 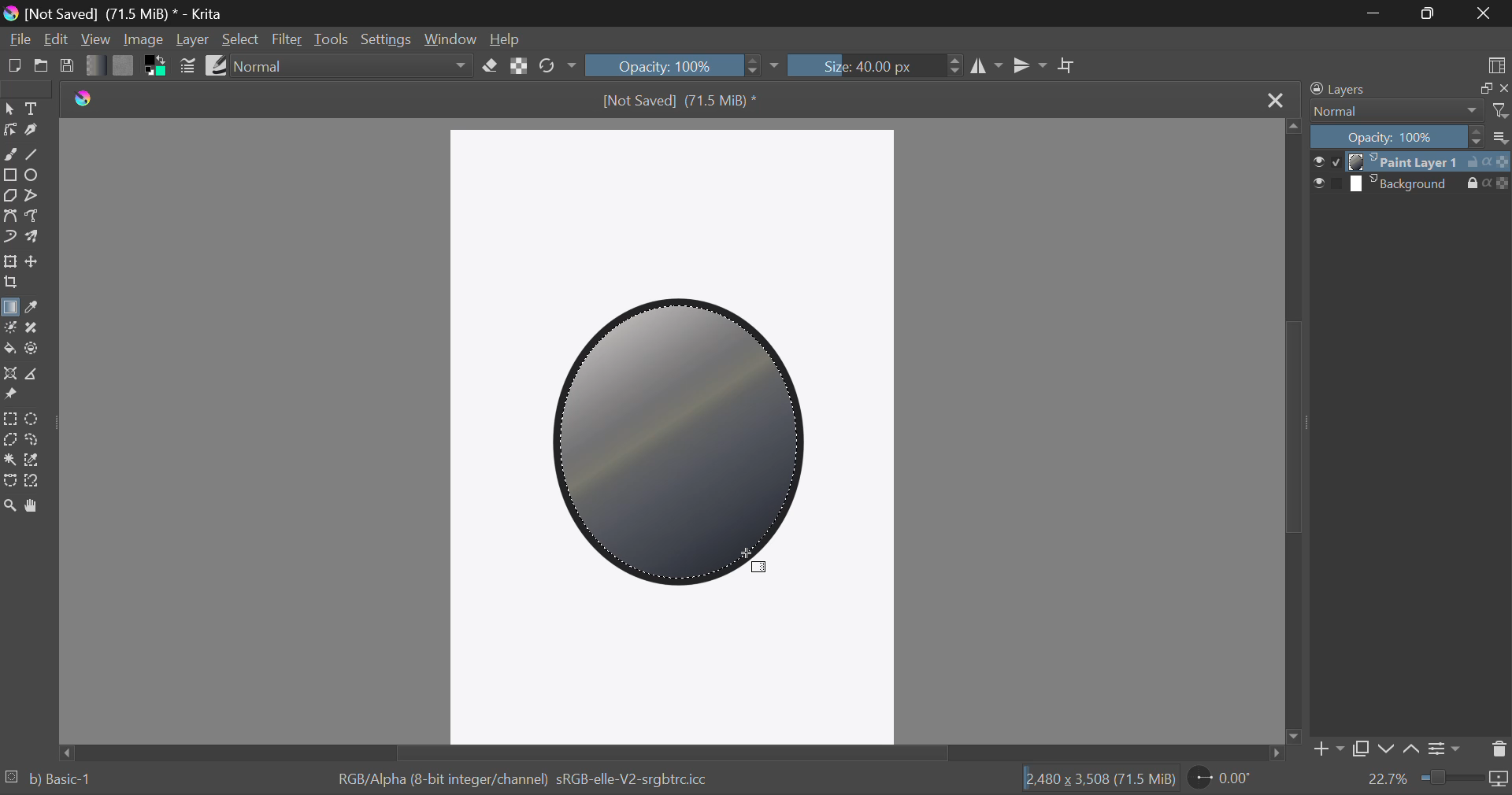 What do you see at coordinates (14, 15) in the screenshot?
I see `logo` at bounding box center [14, 15].